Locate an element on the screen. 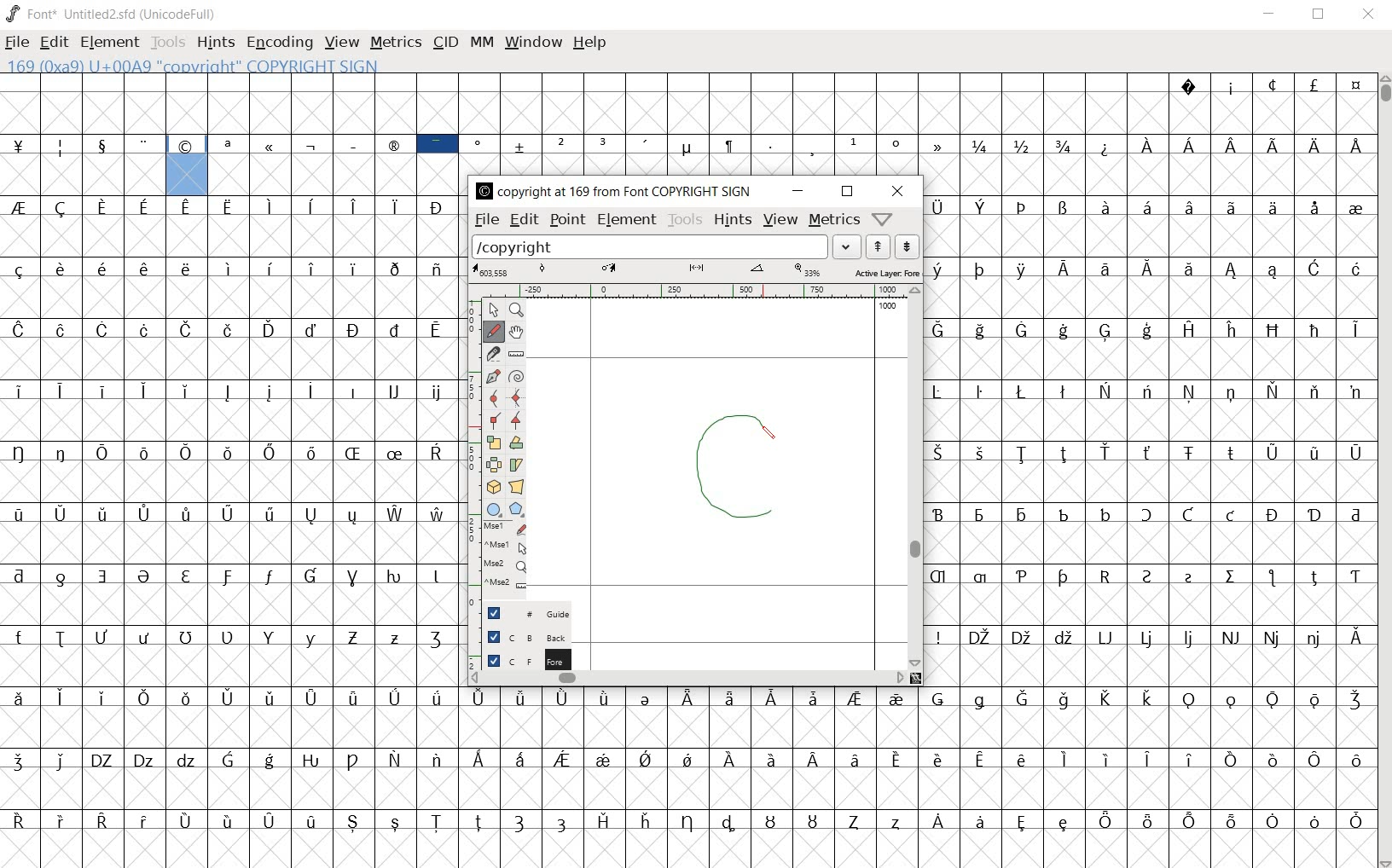 Image resolution: width=1392 pixels, height=868 pixels. add a curve point always either horizontal or vertical is located at coordinates (519, 398).